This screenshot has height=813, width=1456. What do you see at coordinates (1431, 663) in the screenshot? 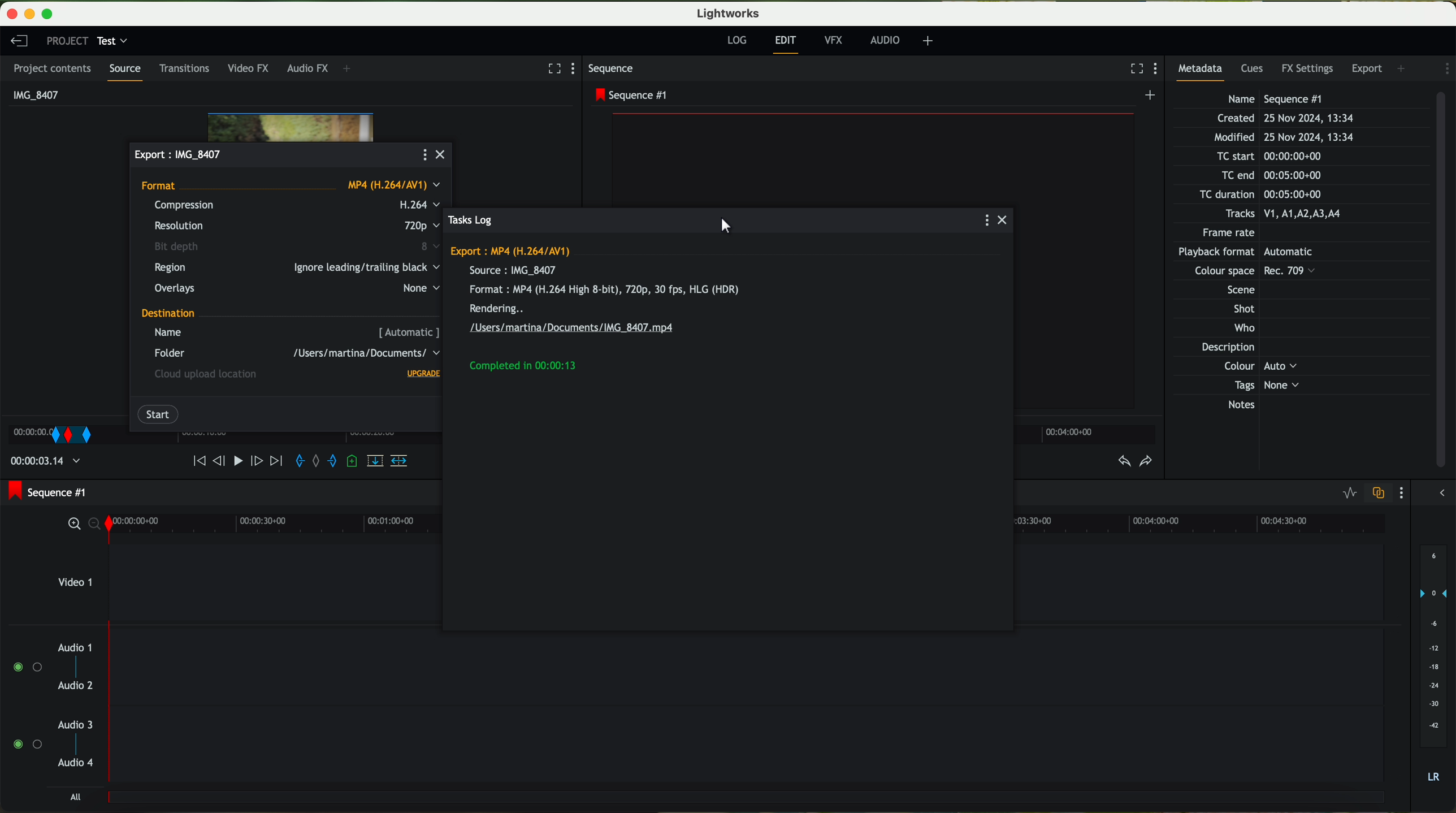
I see `audio output level (dB)` at bounding box center [1431, 663].